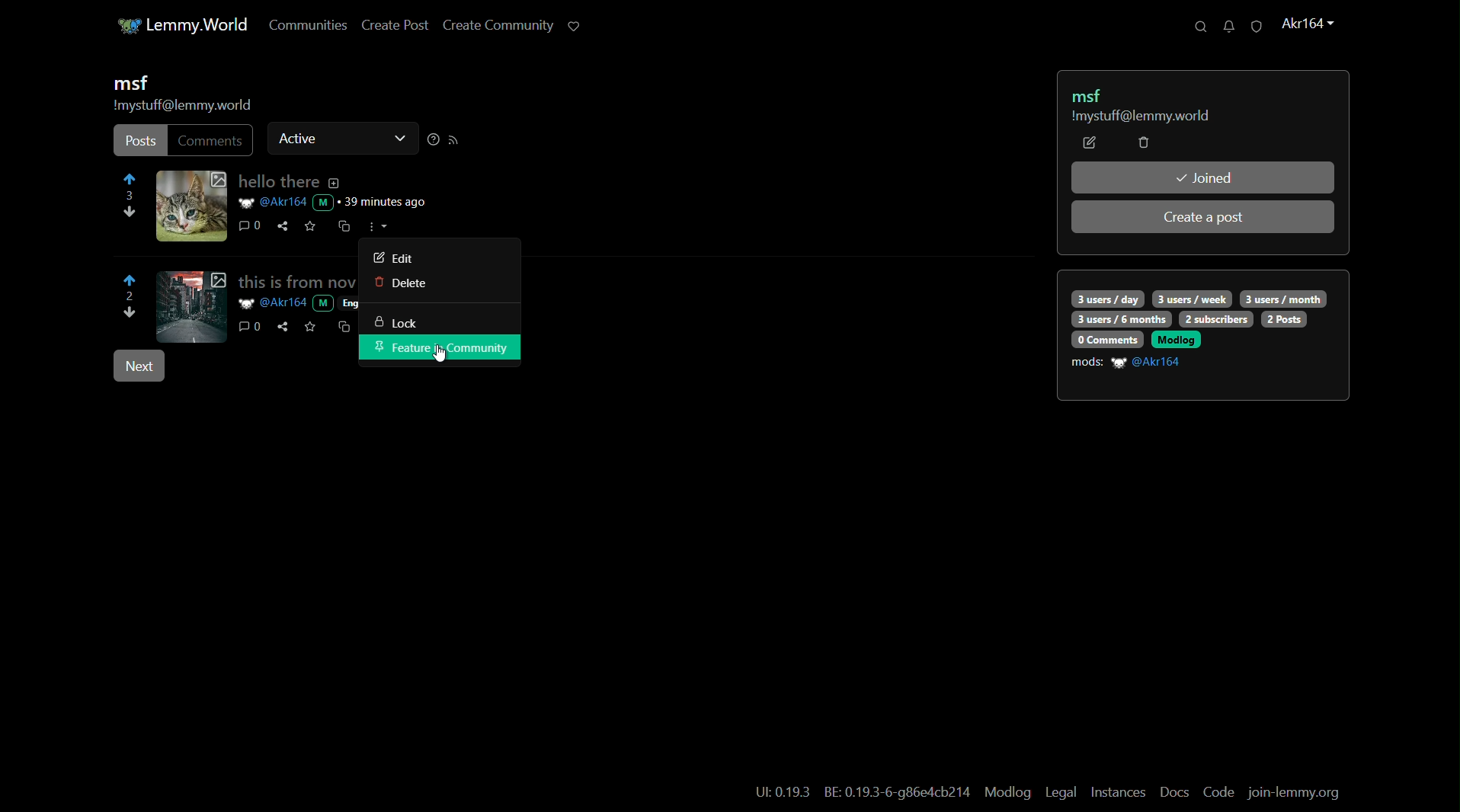 This screenshot has height=812, width=1460. What do you see at coordinates (1282, 298) in the screenshot?
I see `3 users per month` at bounding box center [1282, 298].